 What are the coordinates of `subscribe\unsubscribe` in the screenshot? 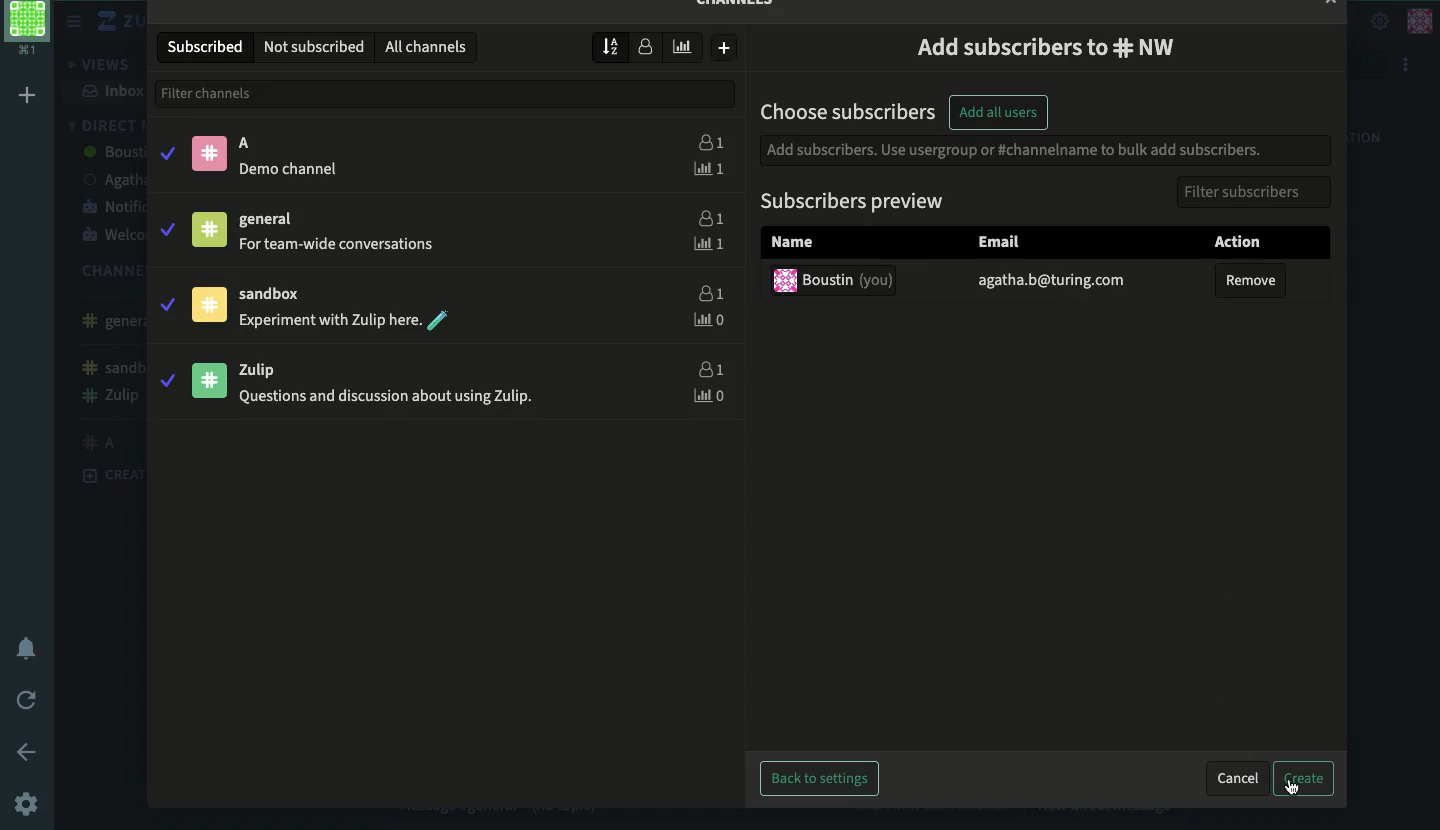 It's located at (170, 268).